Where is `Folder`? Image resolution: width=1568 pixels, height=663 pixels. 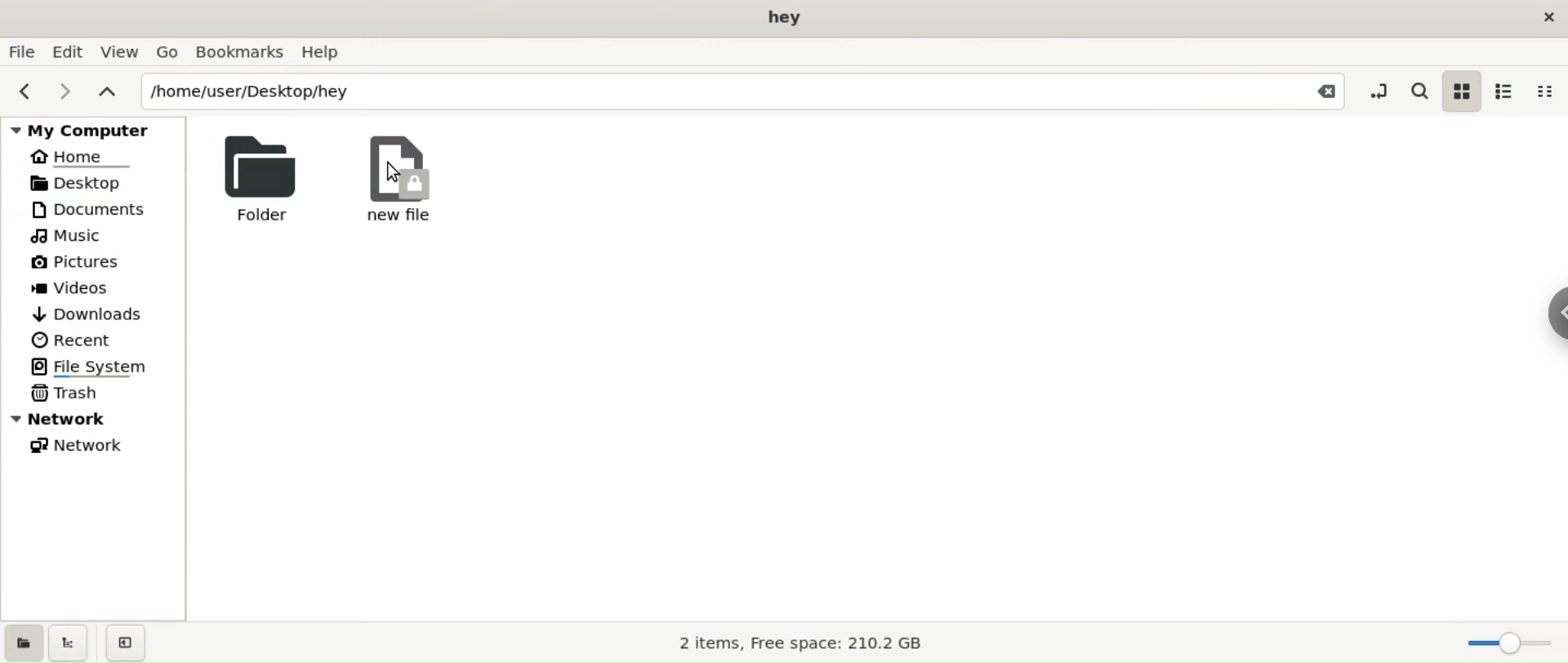
Folder is located at coordinates (256, 177).